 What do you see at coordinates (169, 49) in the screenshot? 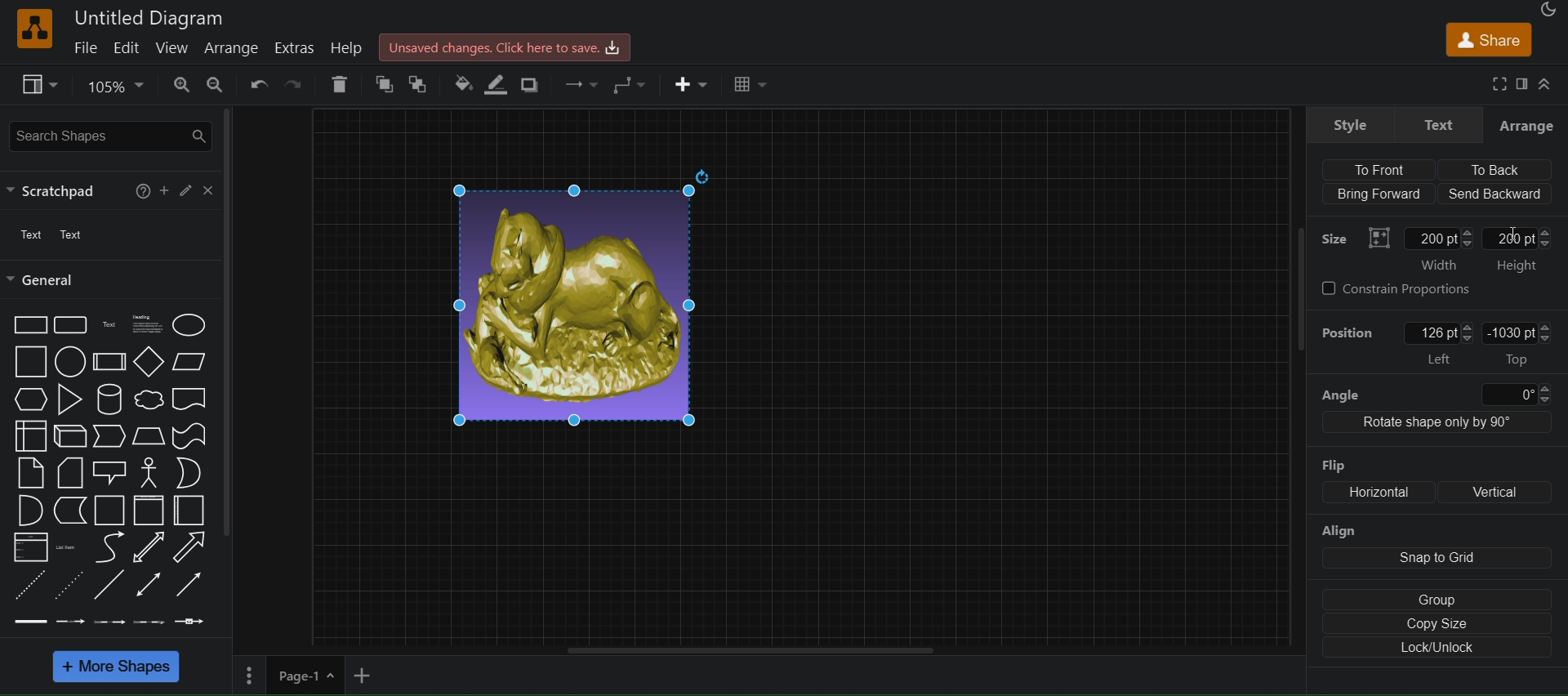
I see `view` at bounding box center [169, 49].